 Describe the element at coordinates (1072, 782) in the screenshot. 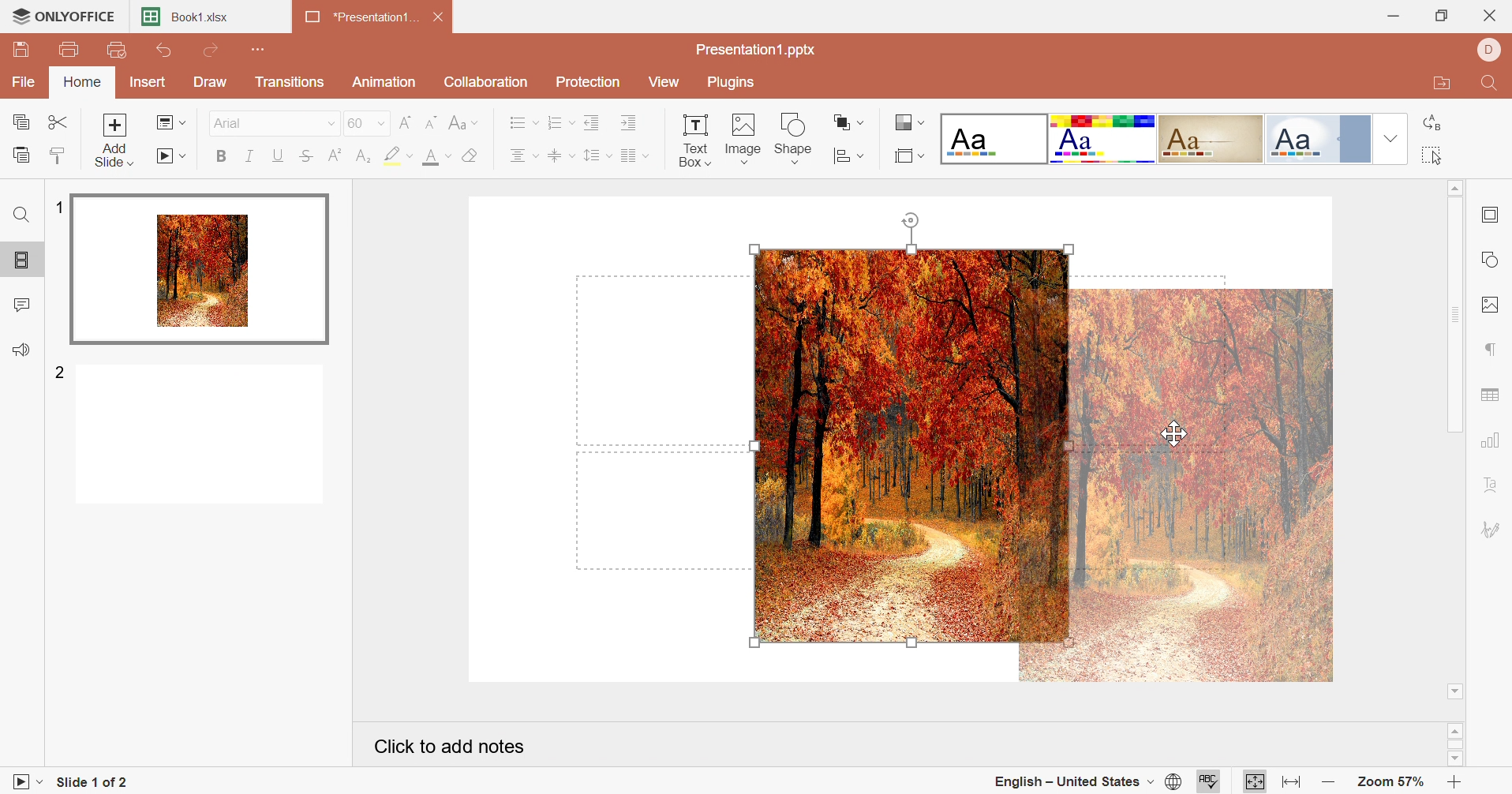

I see `English - United States` at that location.